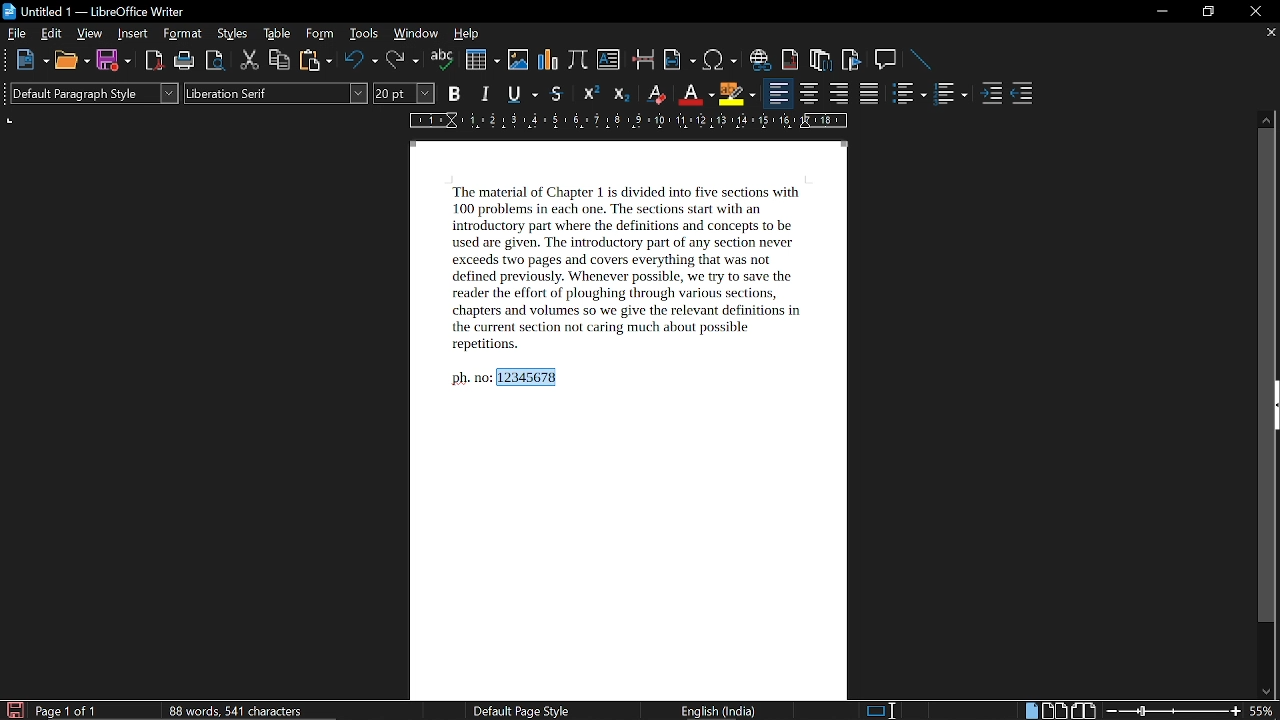  What do you see at coordinates (52, 35) in the screenshot?
I see `edit` at bounding box center [52, 35].